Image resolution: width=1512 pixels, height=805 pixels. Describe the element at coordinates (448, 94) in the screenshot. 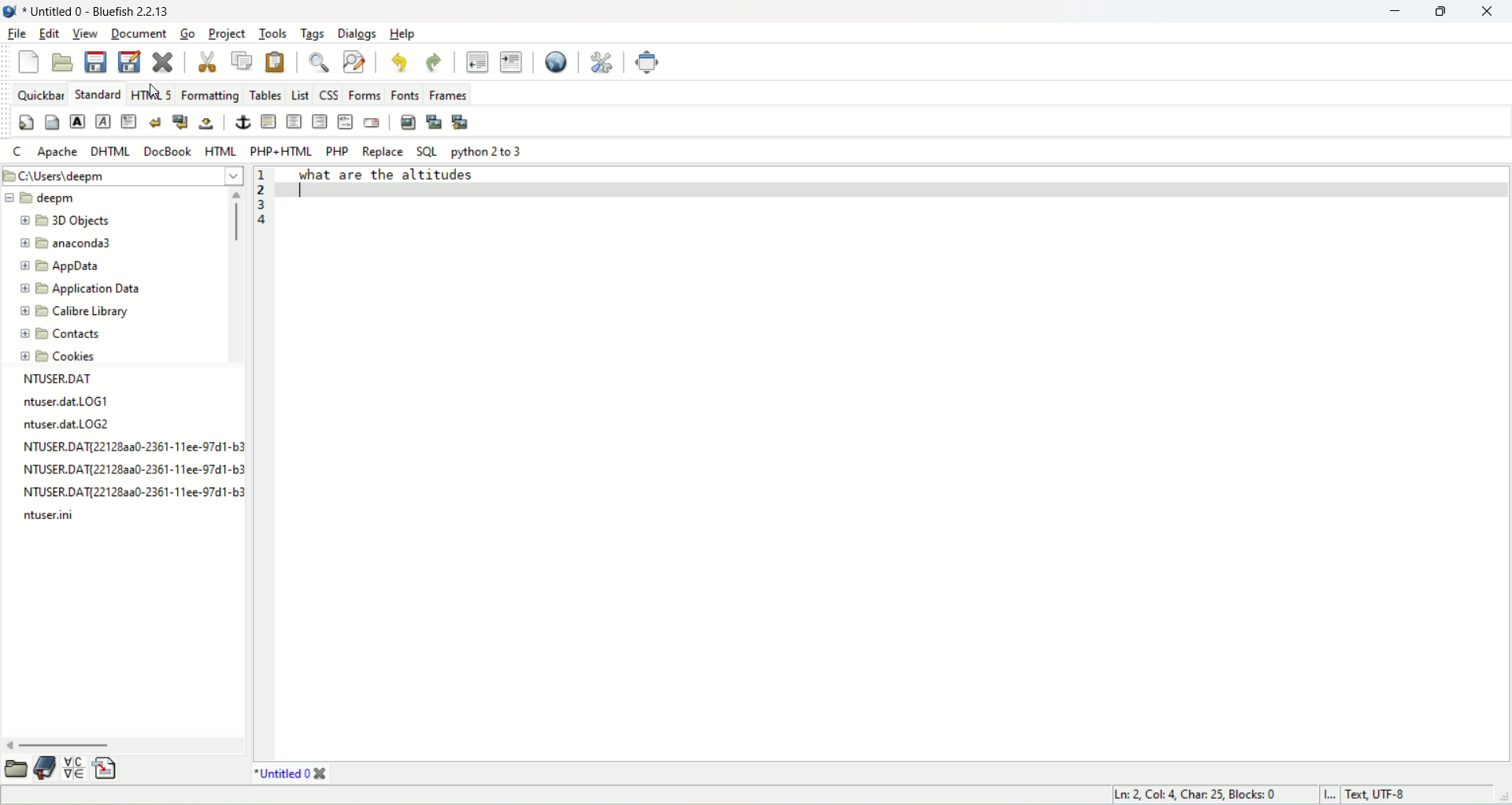

I see `frames` at that location.